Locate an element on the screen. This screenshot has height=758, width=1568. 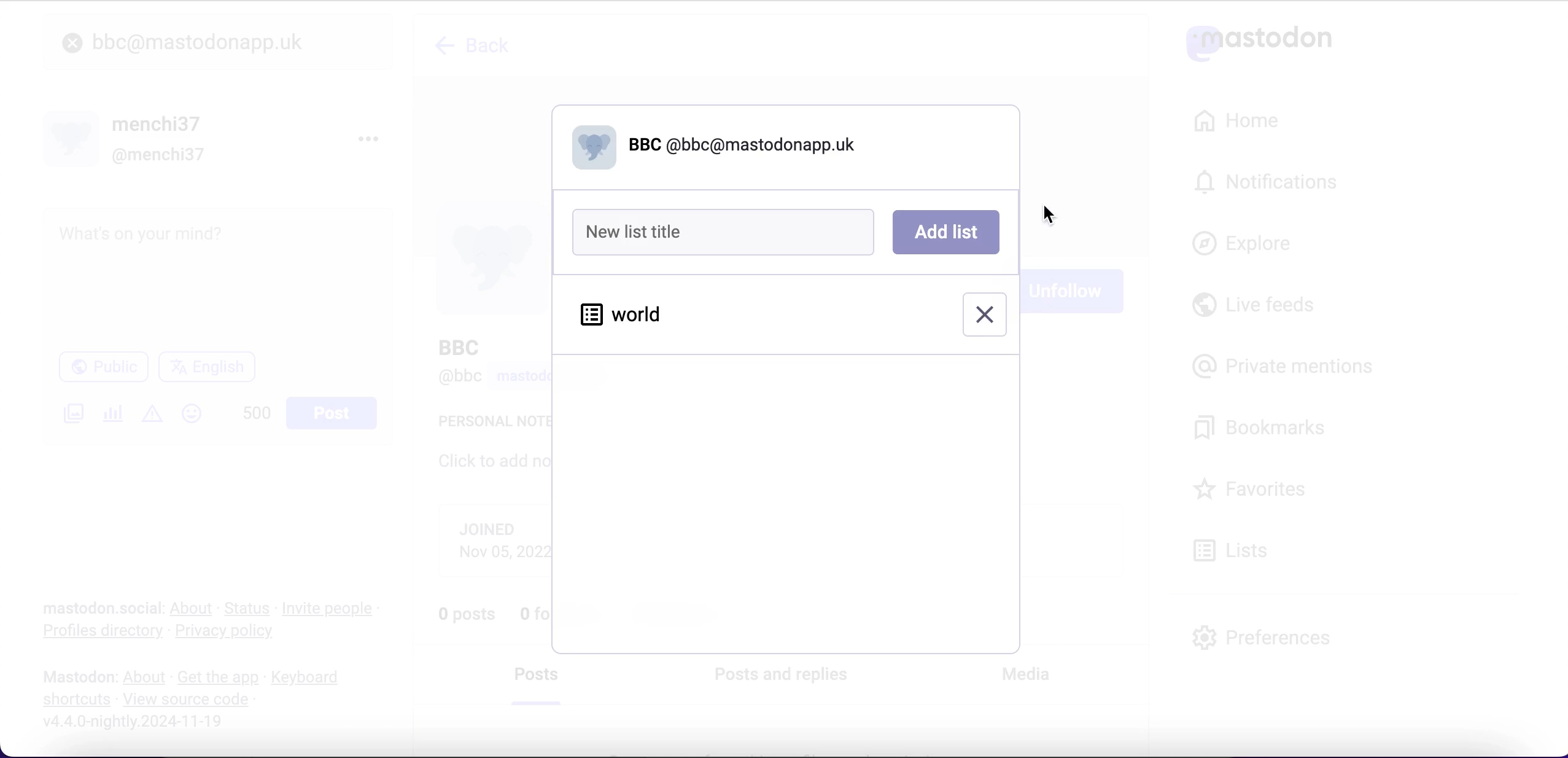
emojis is located at coordinates (197, 420).